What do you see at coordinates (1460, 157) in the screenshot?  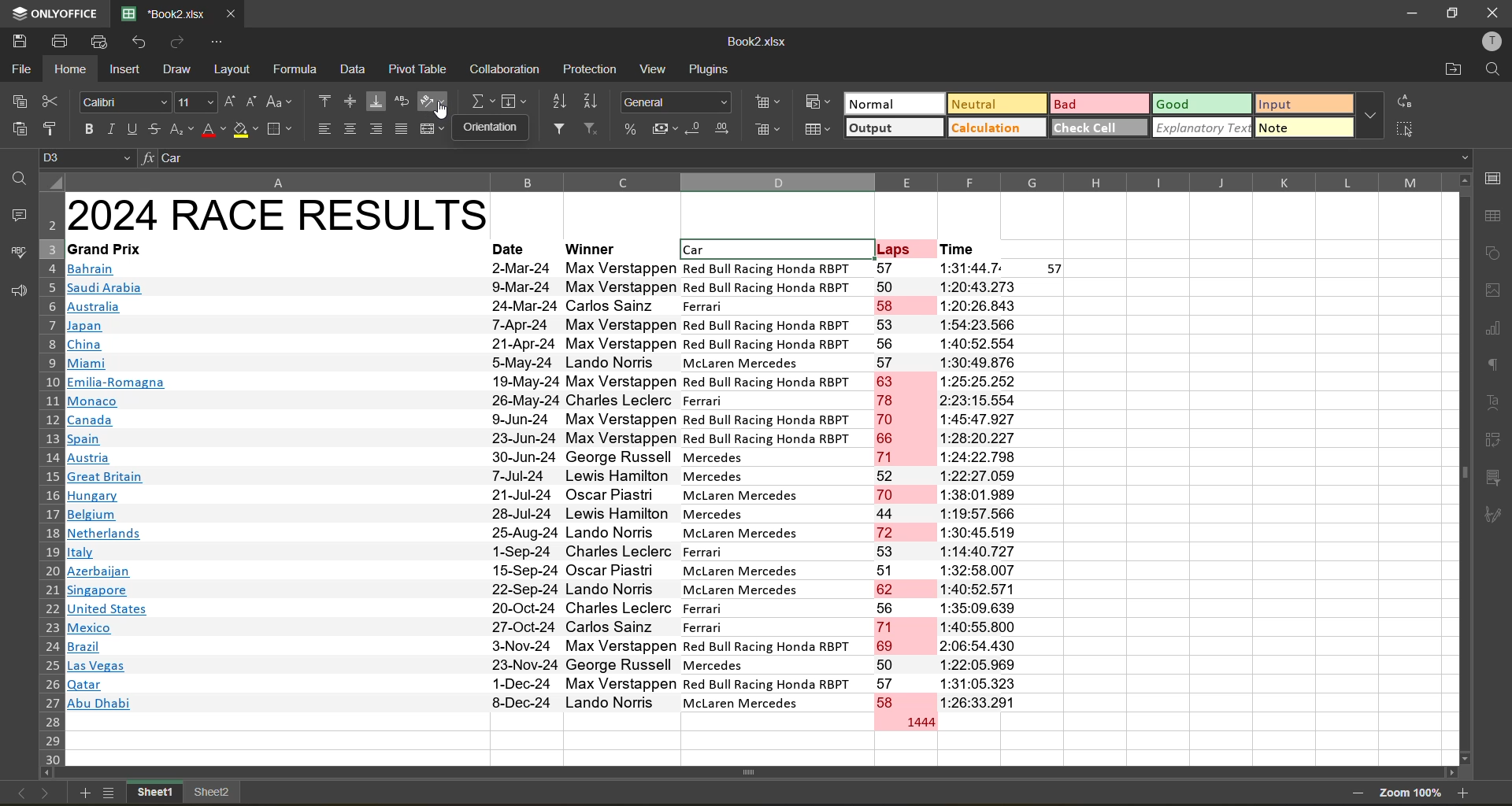 I see `Drop down` at bounding box center [1460, 157].